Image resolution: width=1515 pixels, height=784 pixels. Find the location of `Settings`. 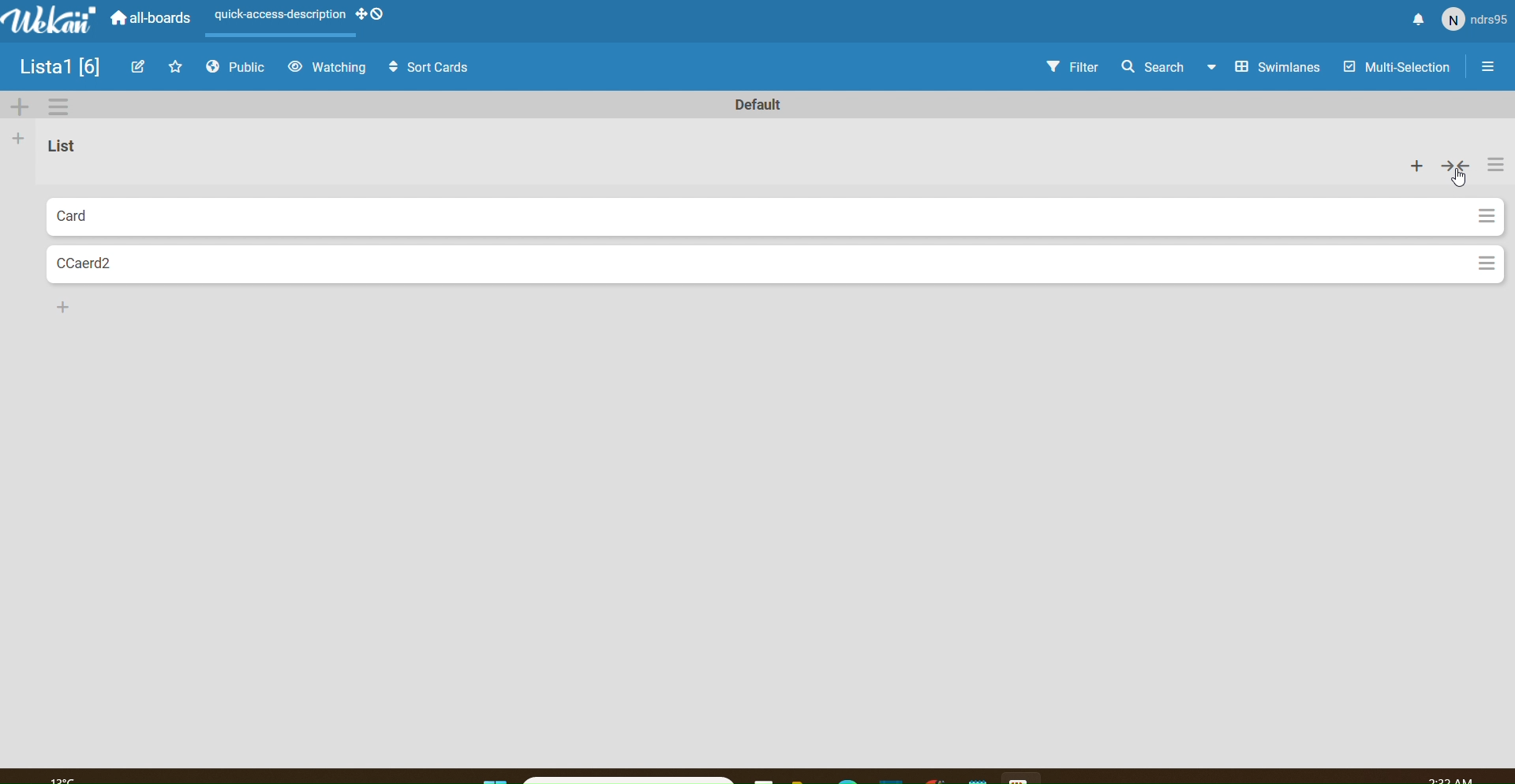

Settings is located at coordinates (1493, 71).